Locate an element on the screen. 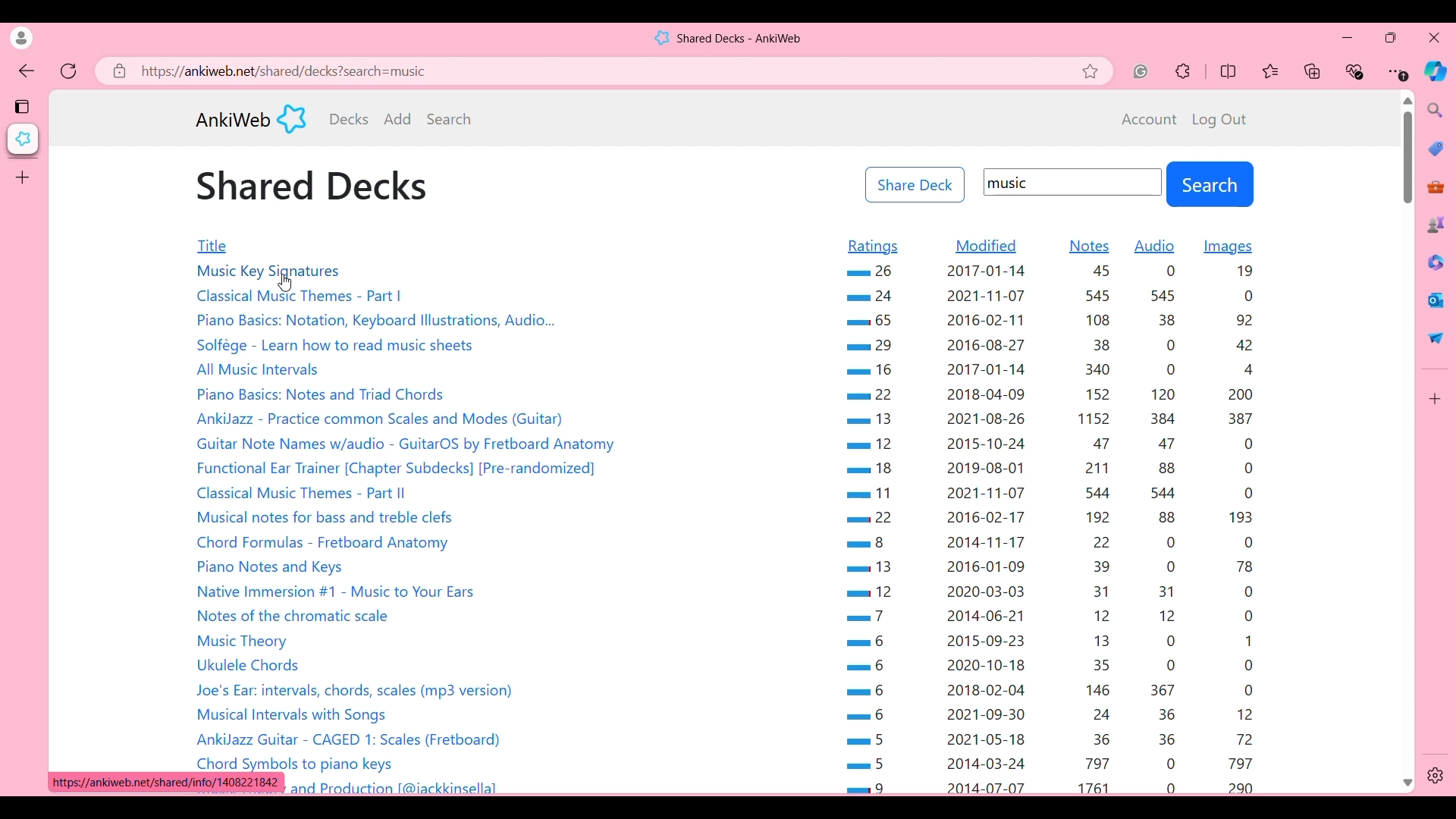 The height and width of the screenshot is (819, 1456). -— 12 2015-10-24 47 47 0 is located at coordinates (1050, 443).